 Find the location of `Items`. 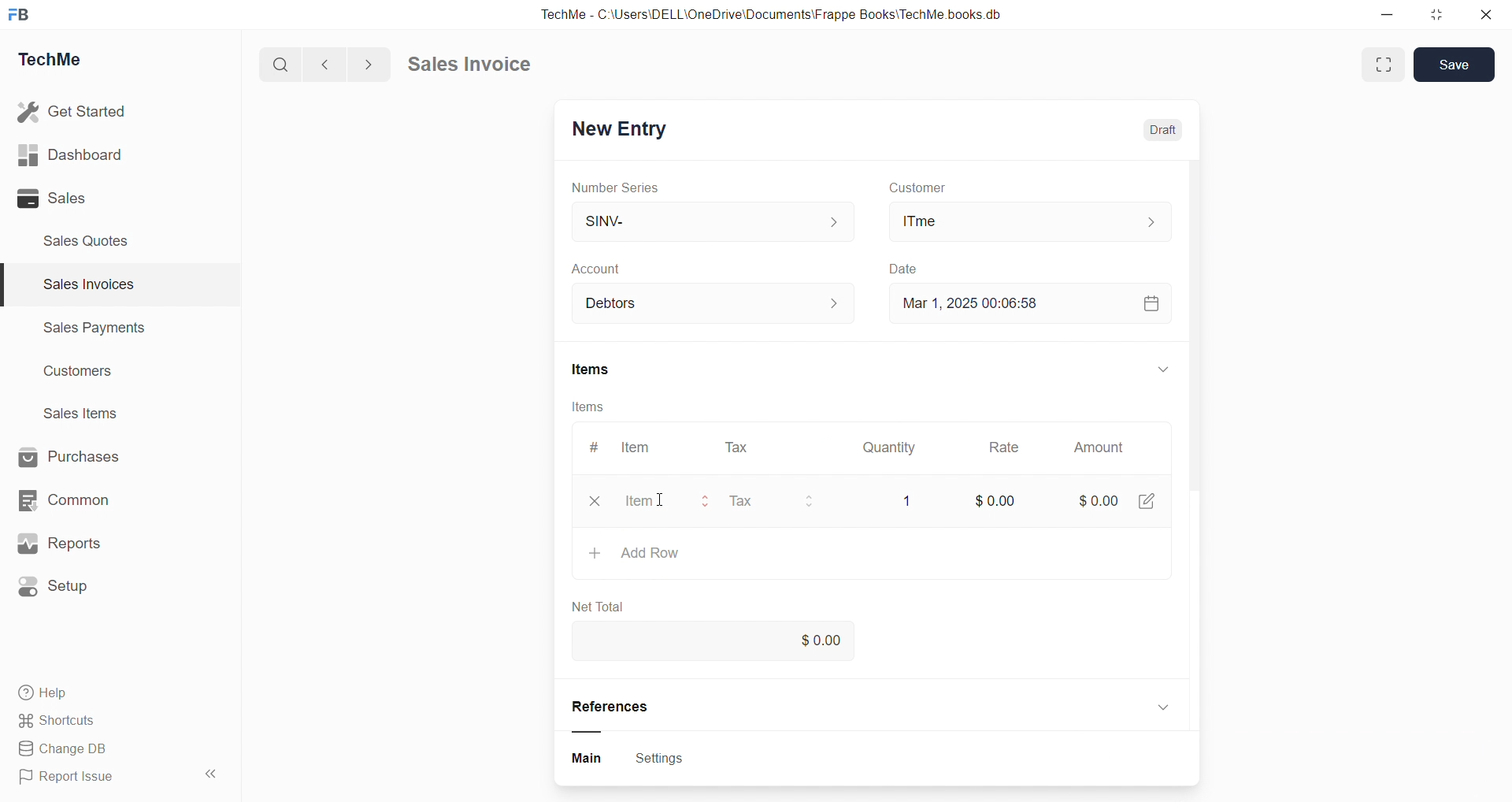

Items is located at coordinates (602, 369).